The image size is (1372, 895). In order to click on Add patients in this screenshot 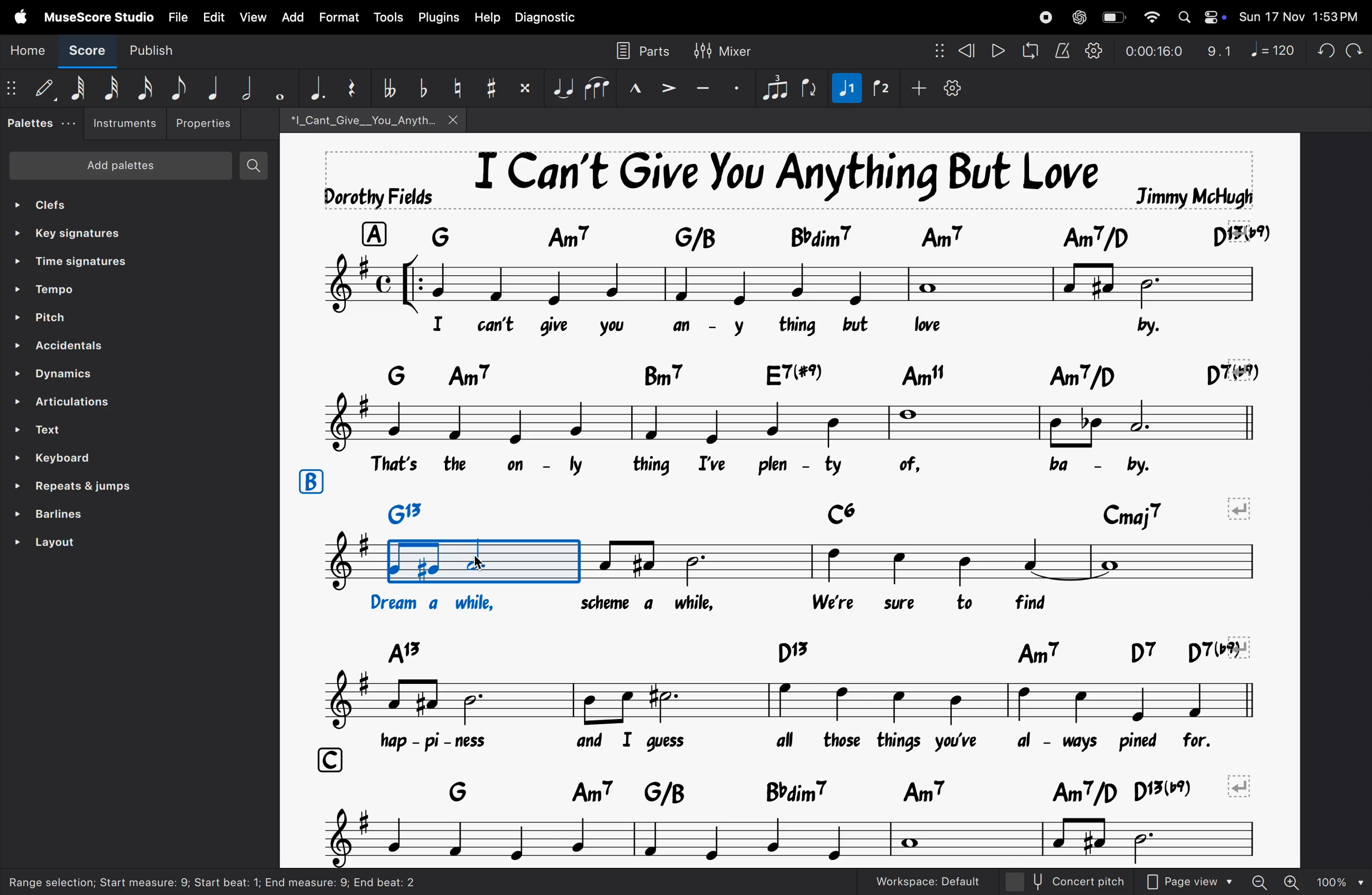, I will do `click(121, 166)`.